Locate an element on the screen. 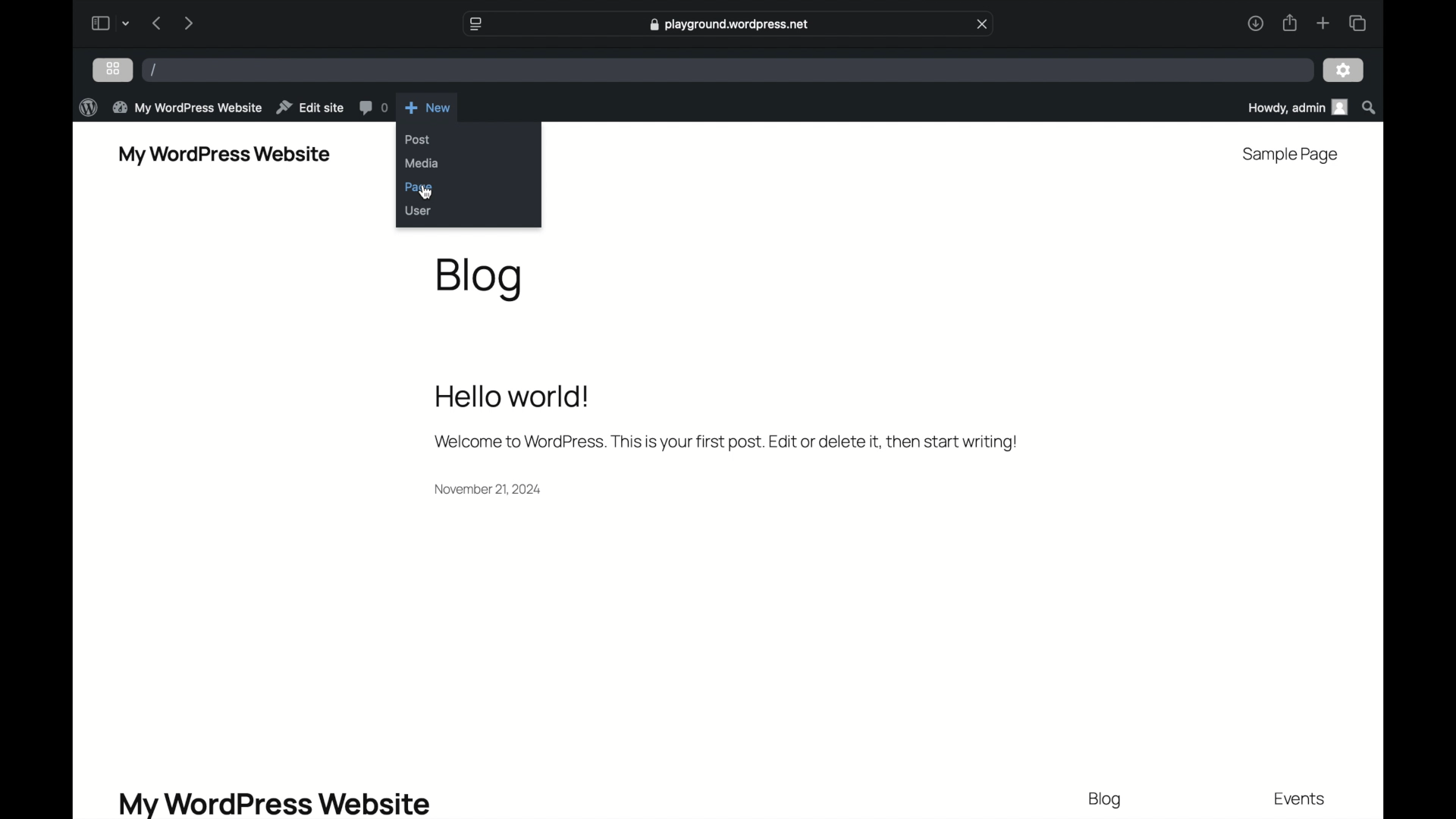 Image resolution: width=1456 pixels, height=819 pixels. previous page is located at coordinates (156, 23).